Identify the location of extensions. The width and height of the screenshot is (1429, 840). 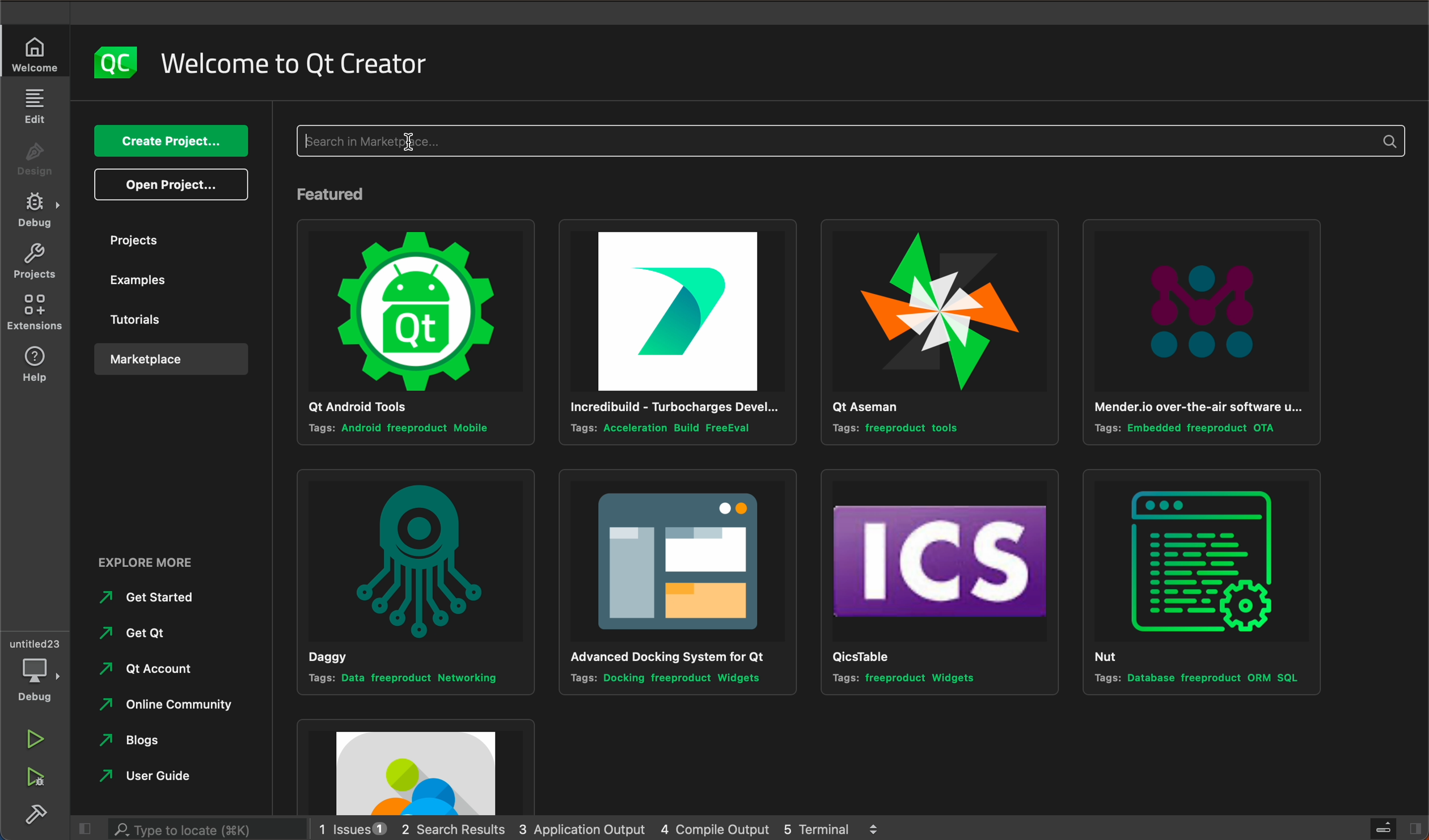
(35, 316).